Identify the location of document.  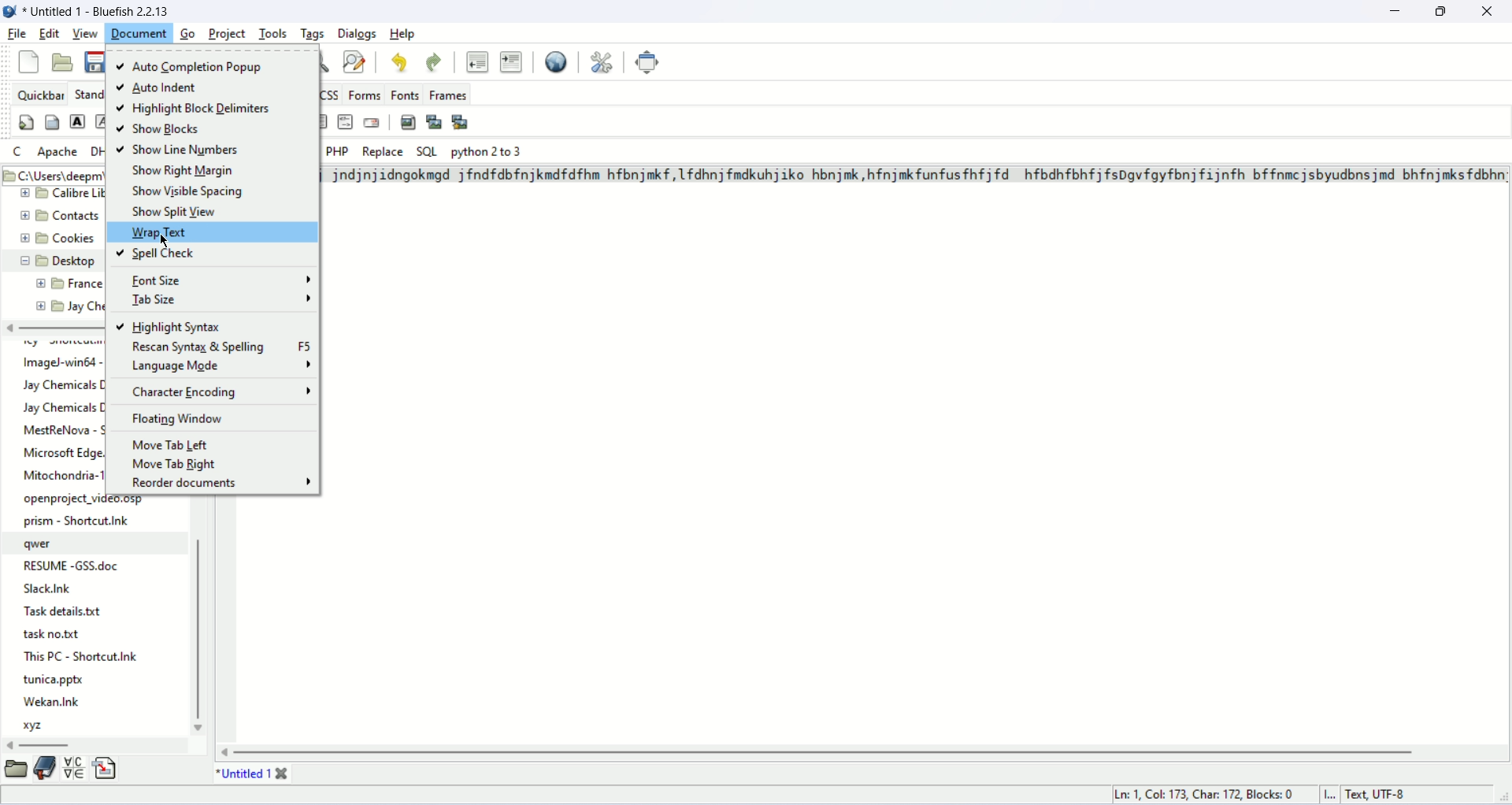
(139, 32).